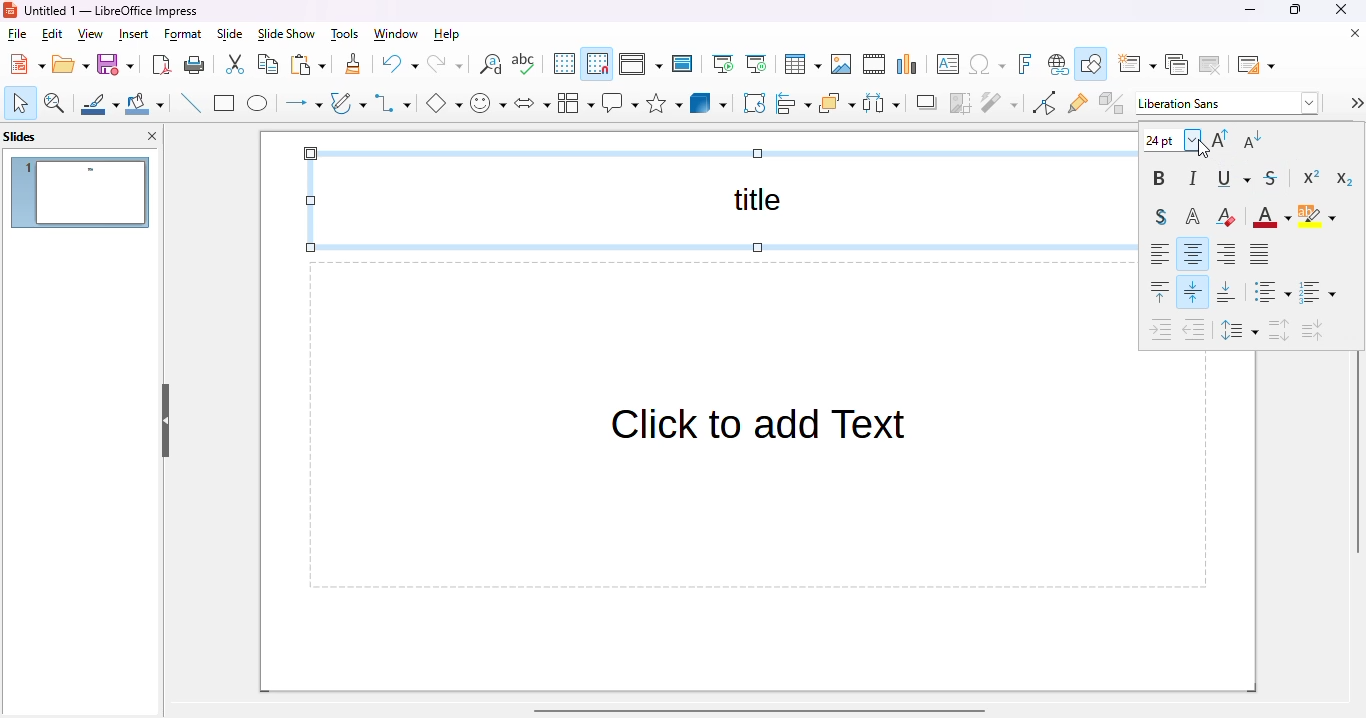  I want to click on show gluepoint functions, so click(1078, 103).